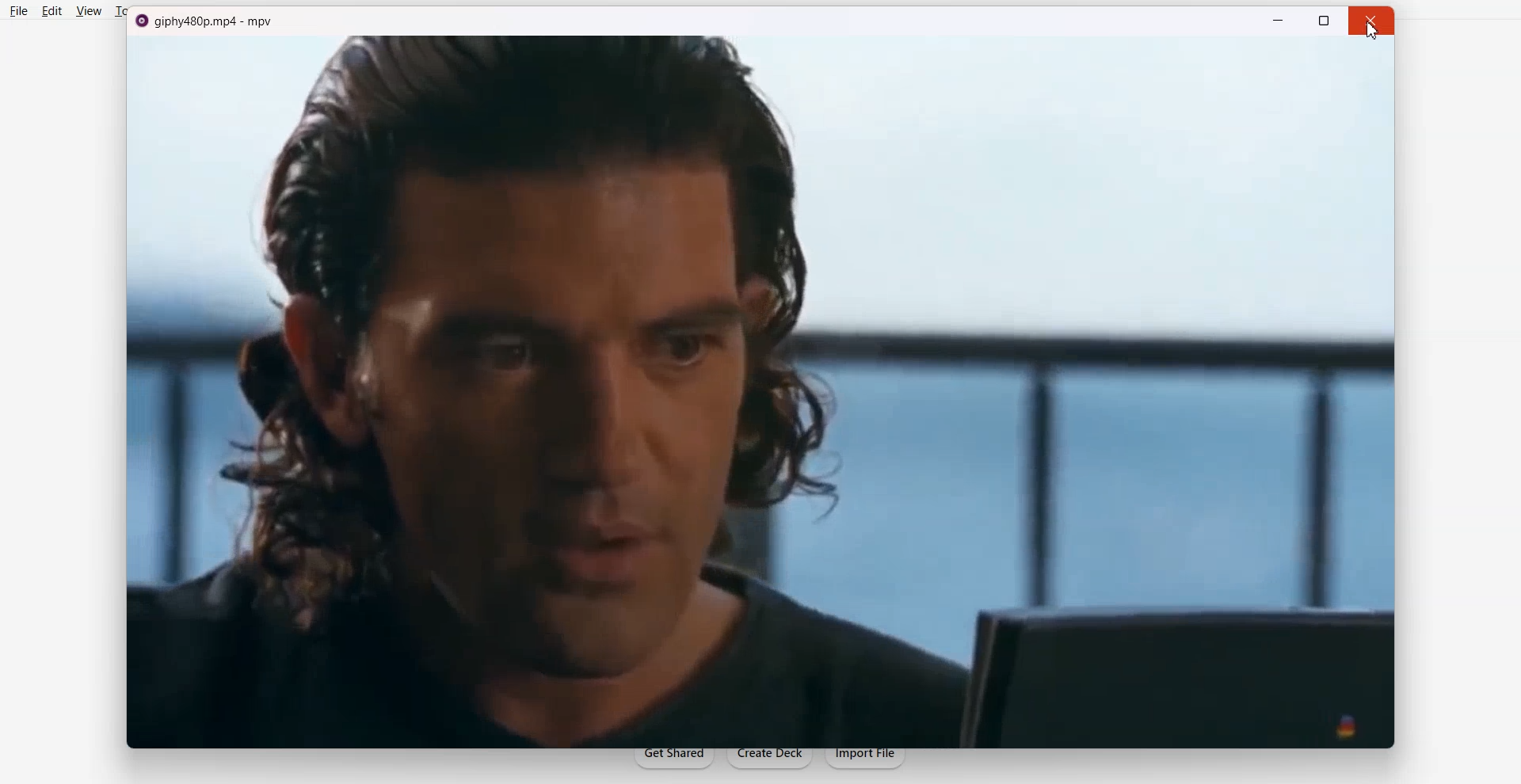  What do you see at coordinates (206, 22) in the screenshot?
I see `© giphy480p.mp4 - mpv` at bounding box center [206, 22].